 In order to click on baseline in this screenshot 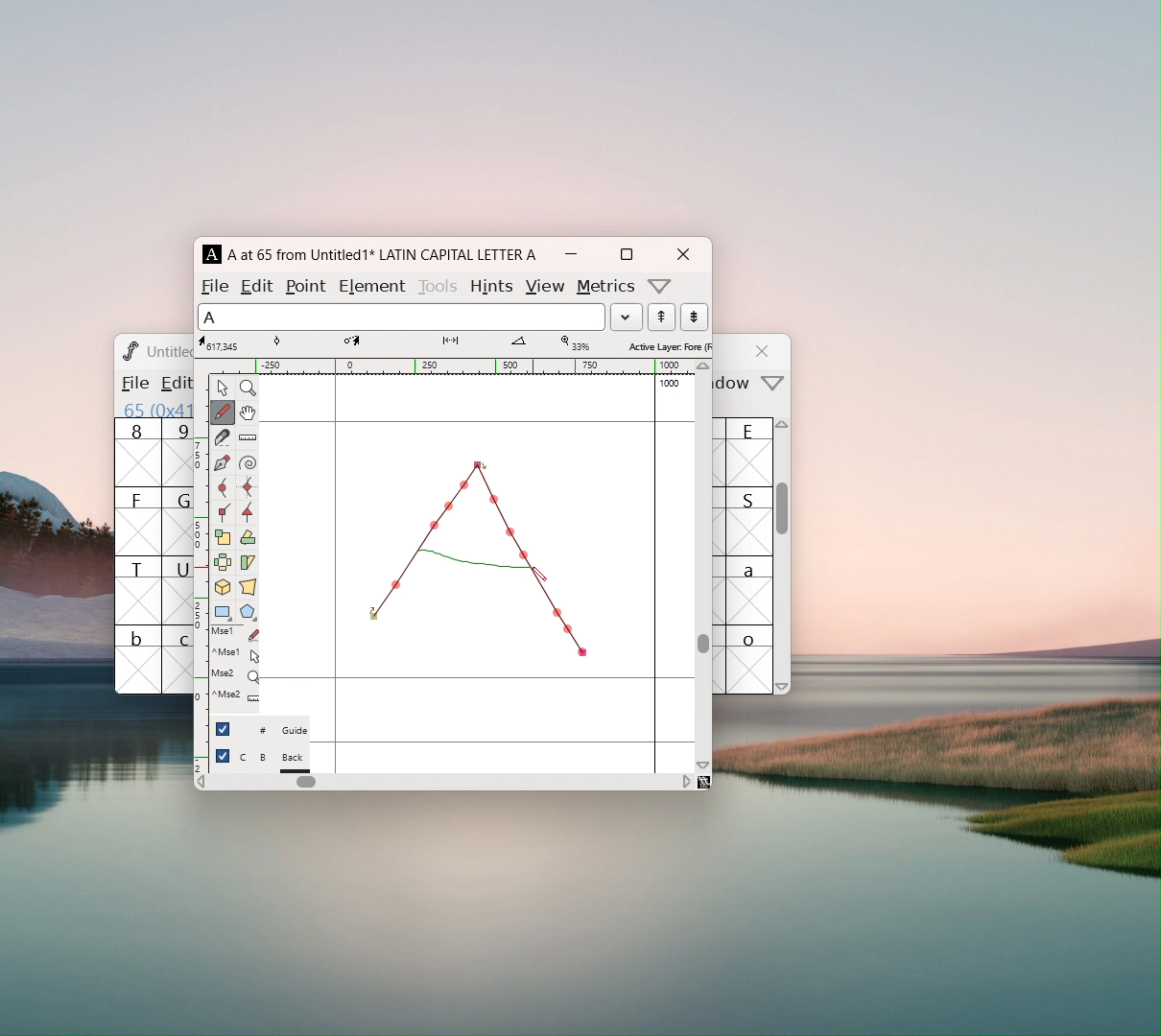, I will do `click(478, 678)`.